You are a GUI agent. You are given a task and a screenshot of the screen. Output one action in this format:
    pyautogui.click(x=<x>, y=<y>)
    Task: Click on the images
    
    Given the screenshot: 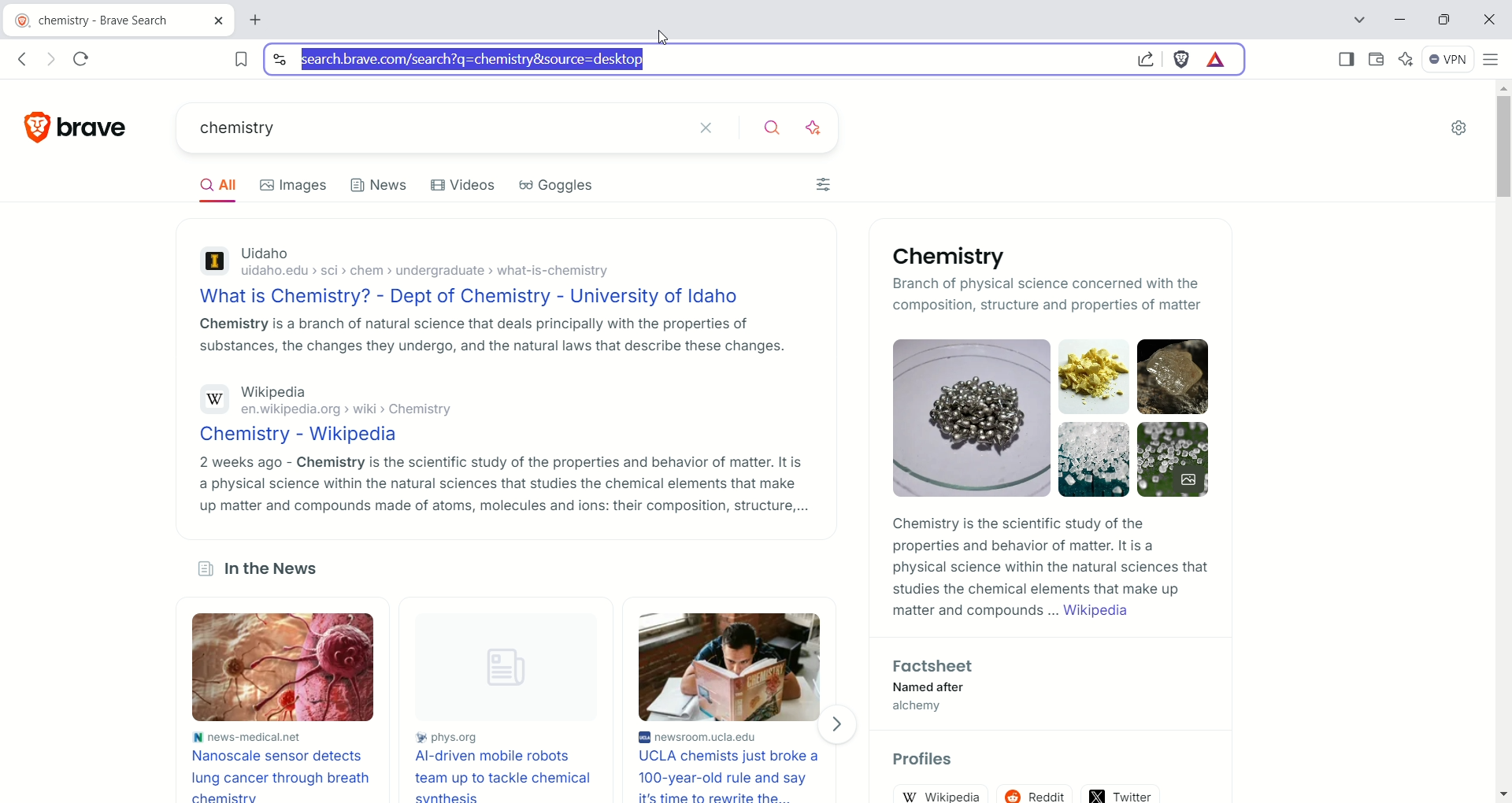 What is the action you would take?
    pyautogui.click(x=293, y=187)
    